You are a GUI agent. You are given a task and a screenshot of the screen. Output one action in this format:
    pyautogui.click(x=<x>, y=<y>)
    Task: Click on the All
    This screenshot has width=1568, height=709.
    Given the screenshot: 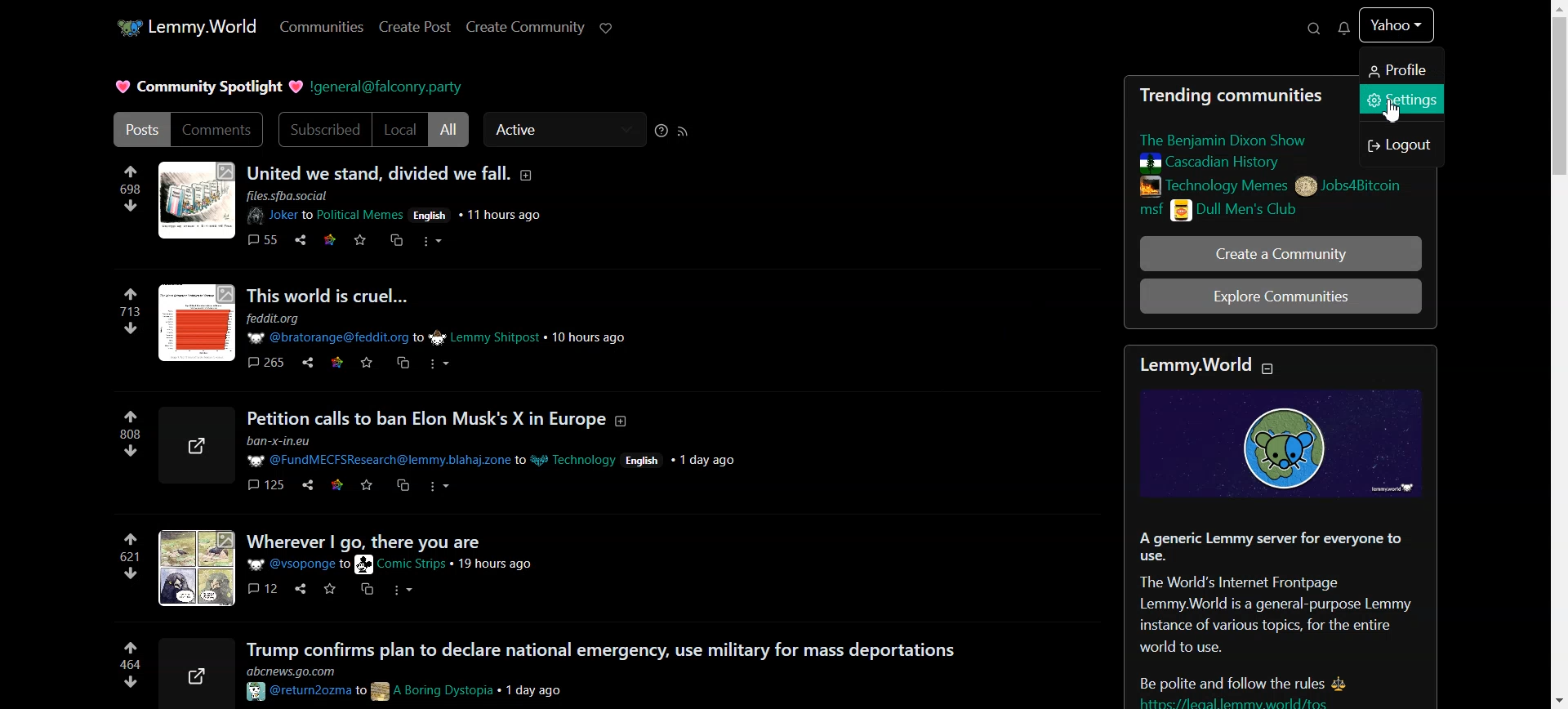 What is the action you would take?
    pyautogui.click(x=449, y=130)
    